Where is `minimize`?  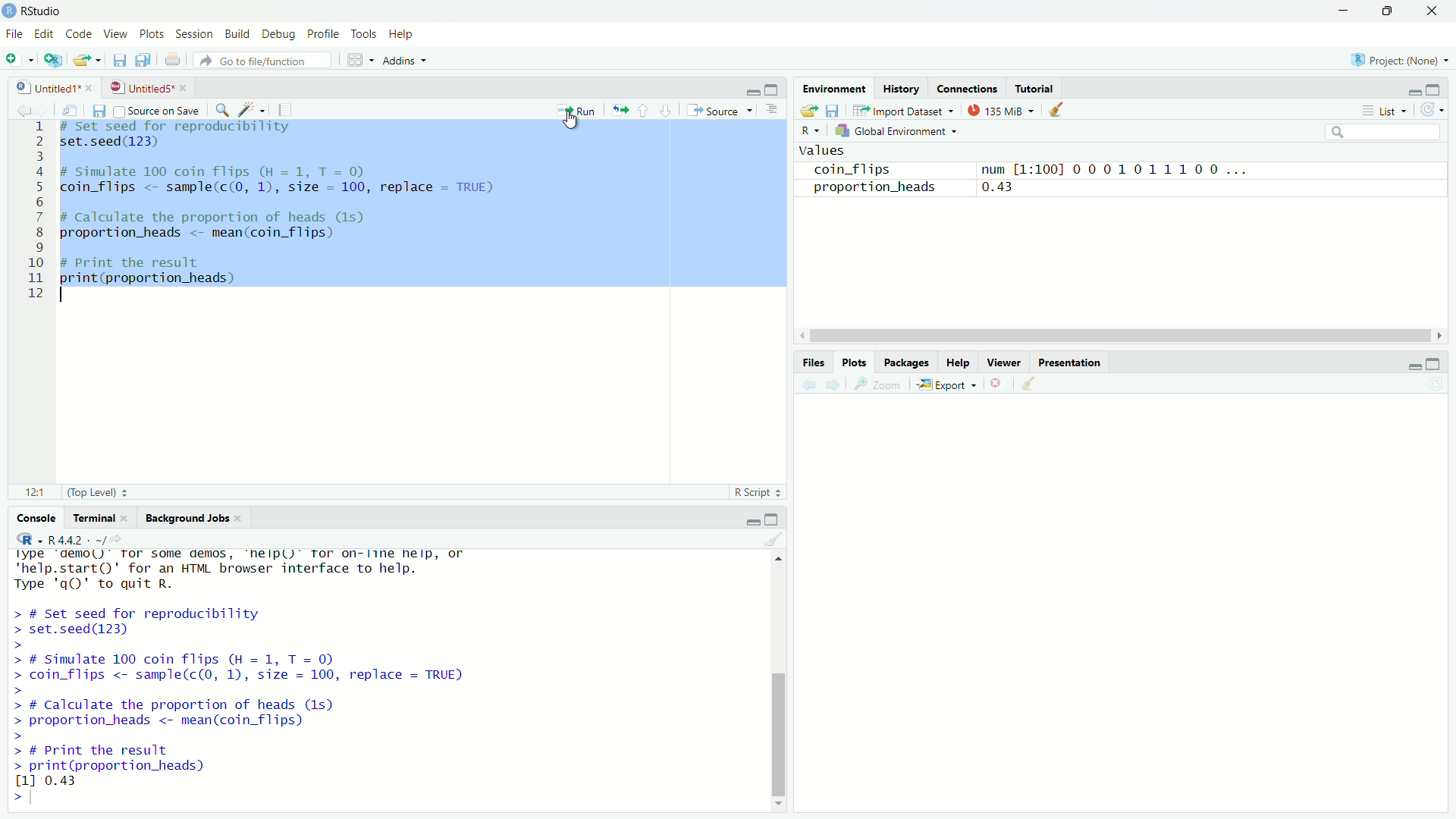
minimize is located at coordinates (753, 520).